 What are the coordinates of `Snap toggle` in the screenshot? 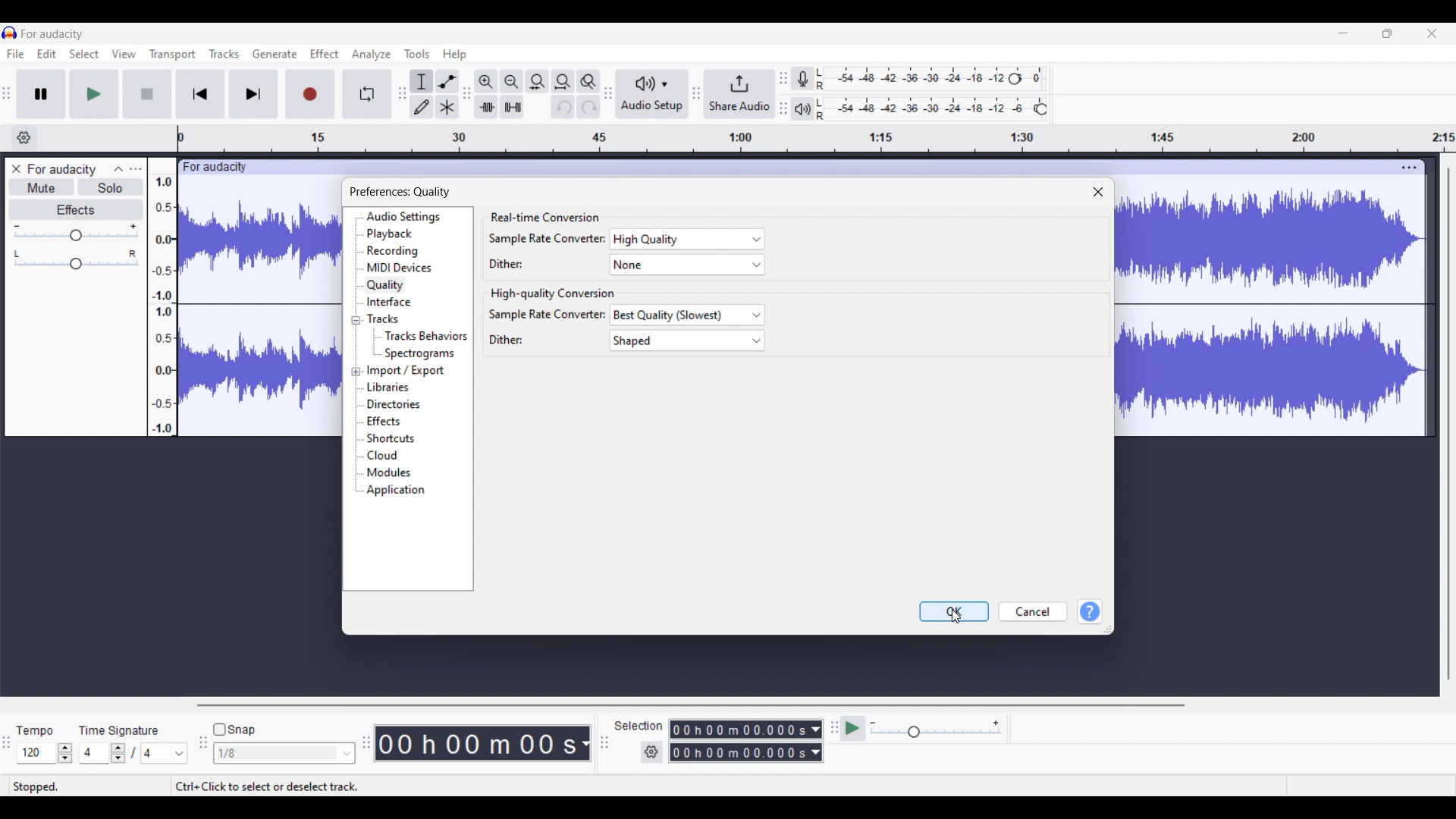 It's located at (237, 730).